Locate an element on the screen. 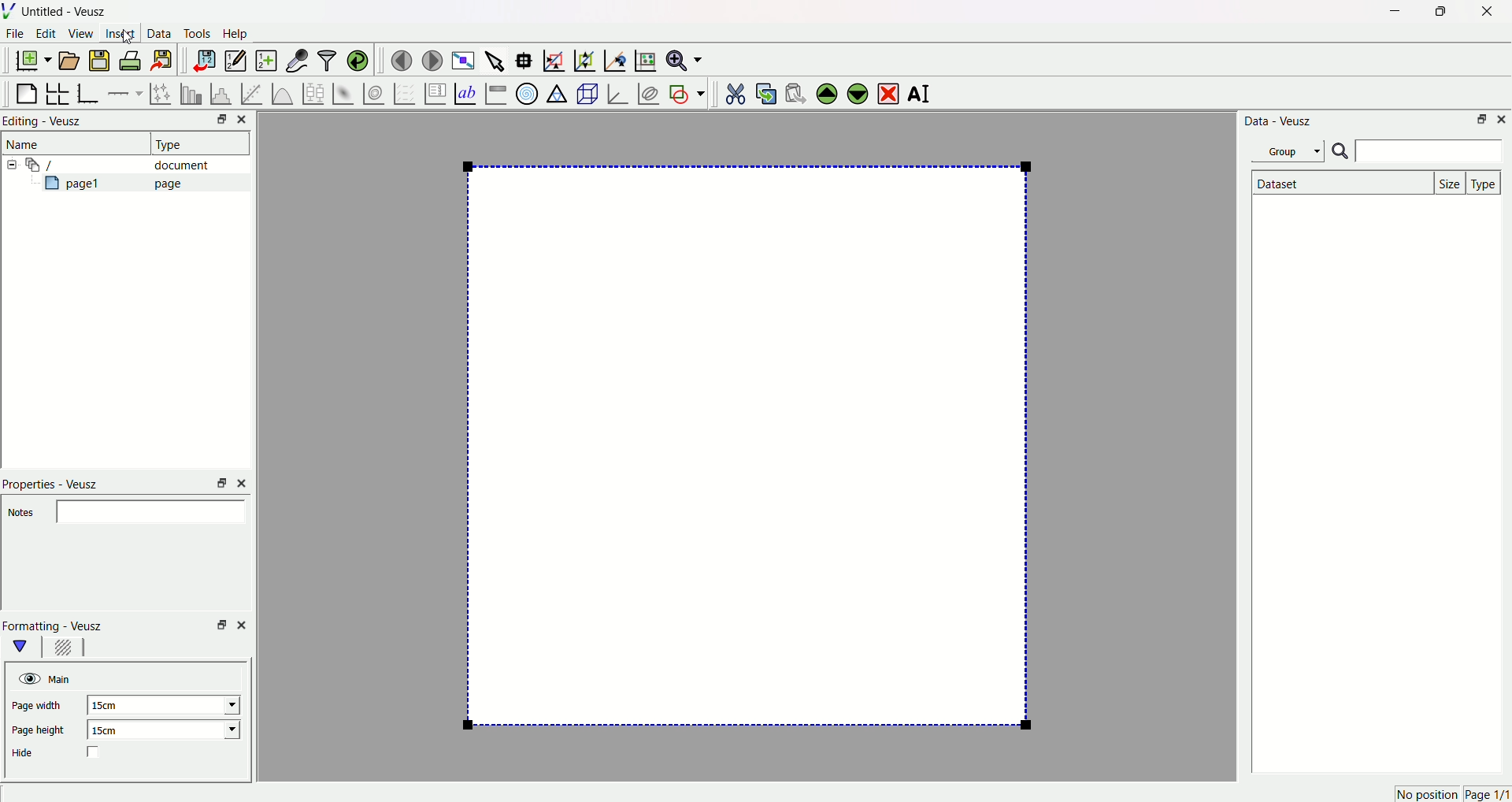 Image resolution: width=1512 pixels, height=802 pixels. page 1/1 is located at coordinates (1487, 795).